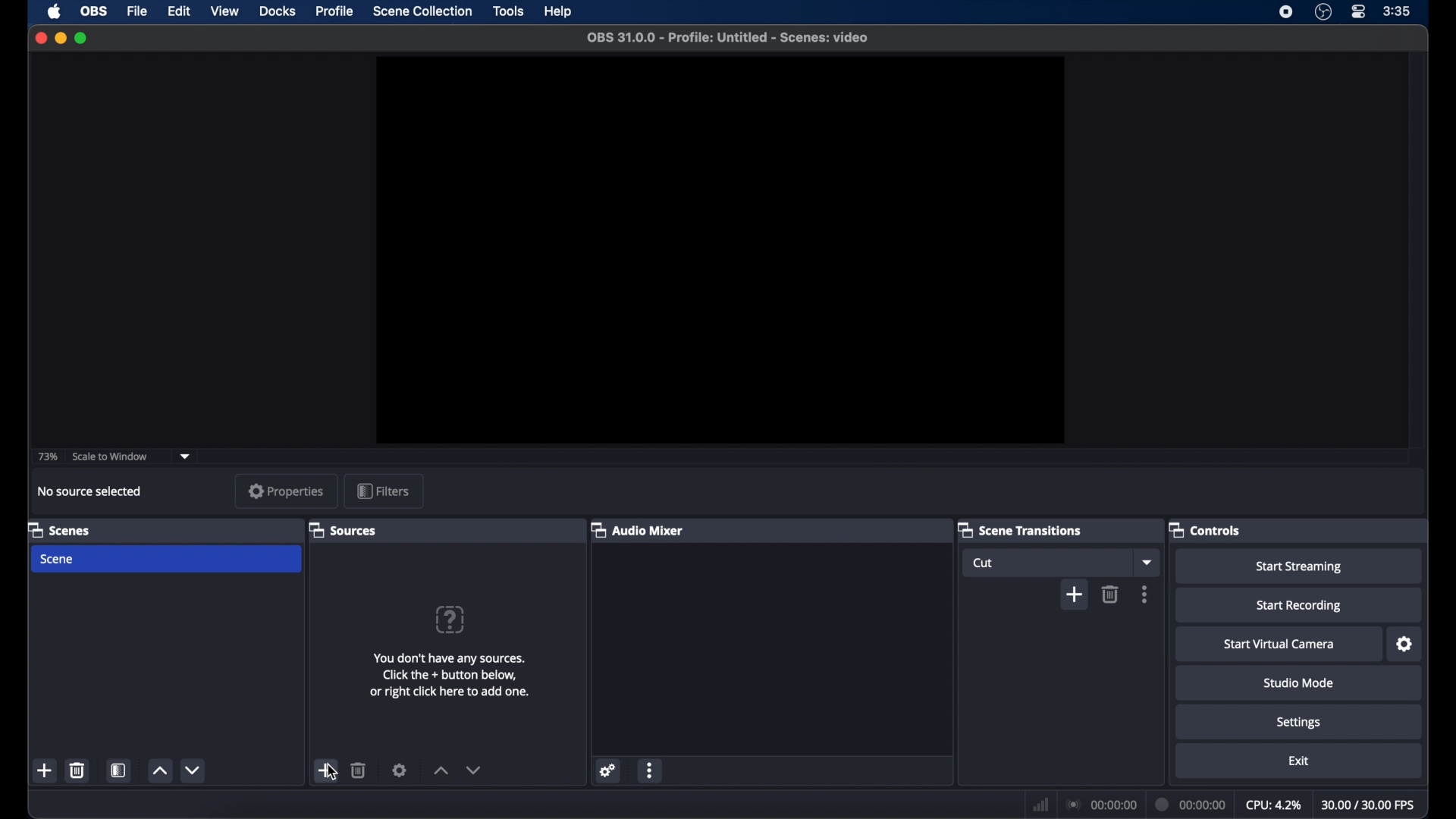 The height and width of the screenshot is (819, 1456). I want to click on studio mode, so click(1300, 682).